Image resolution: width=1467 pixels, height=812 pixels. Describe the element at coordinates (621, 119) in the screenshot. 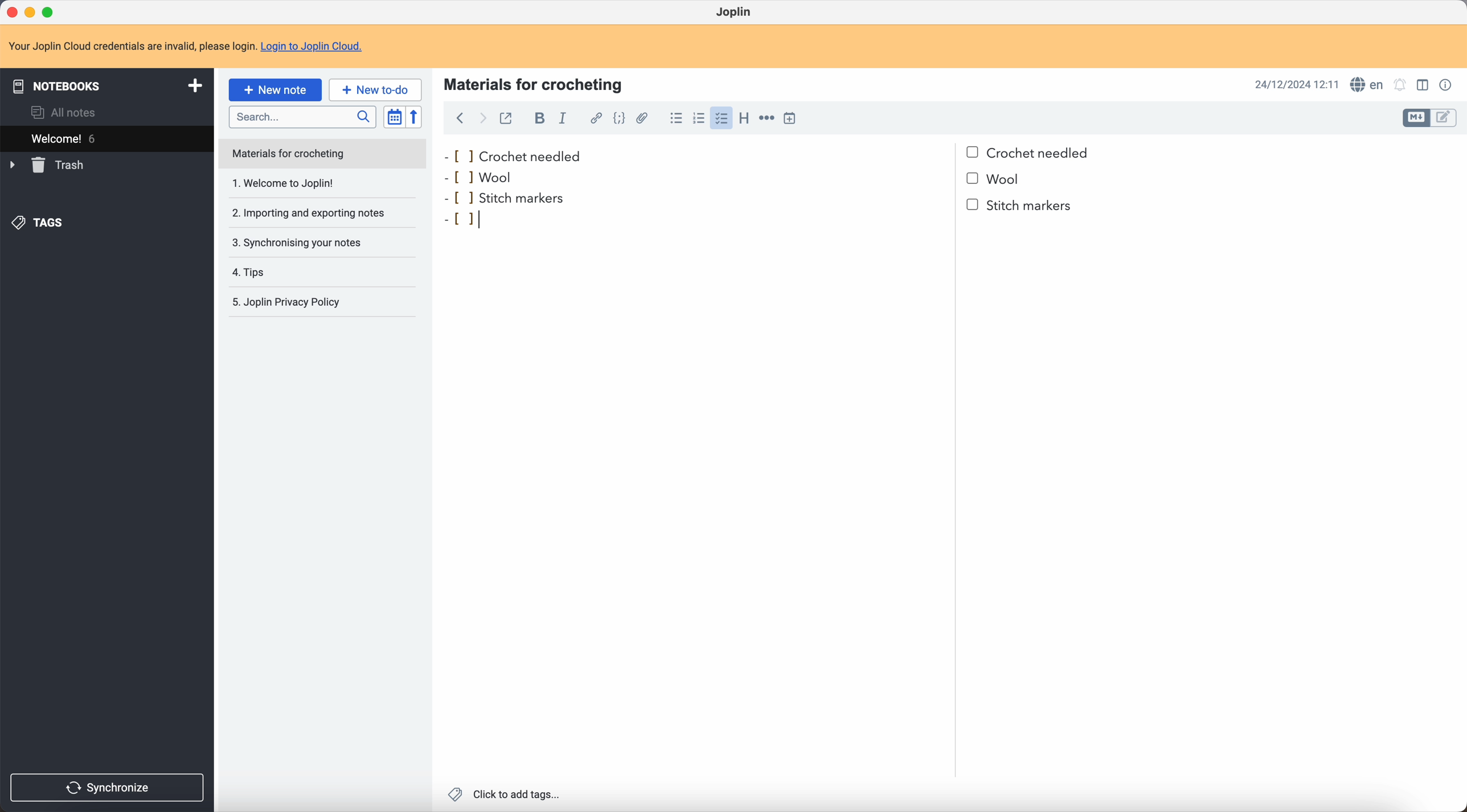

I see `code` at that location.